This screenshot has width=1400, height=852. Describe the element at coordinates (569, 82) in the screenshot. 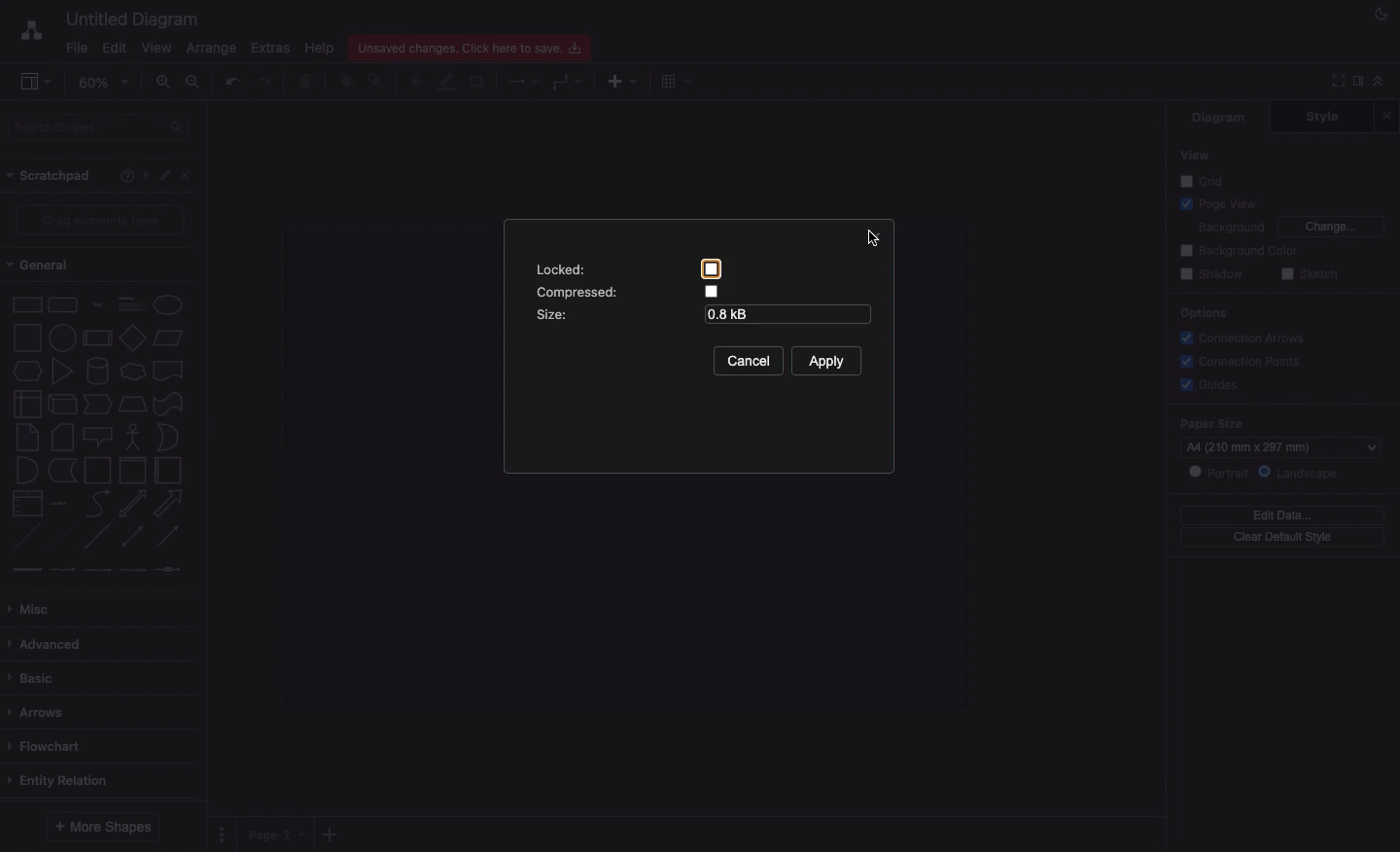

I see `Waypoints` at that location.